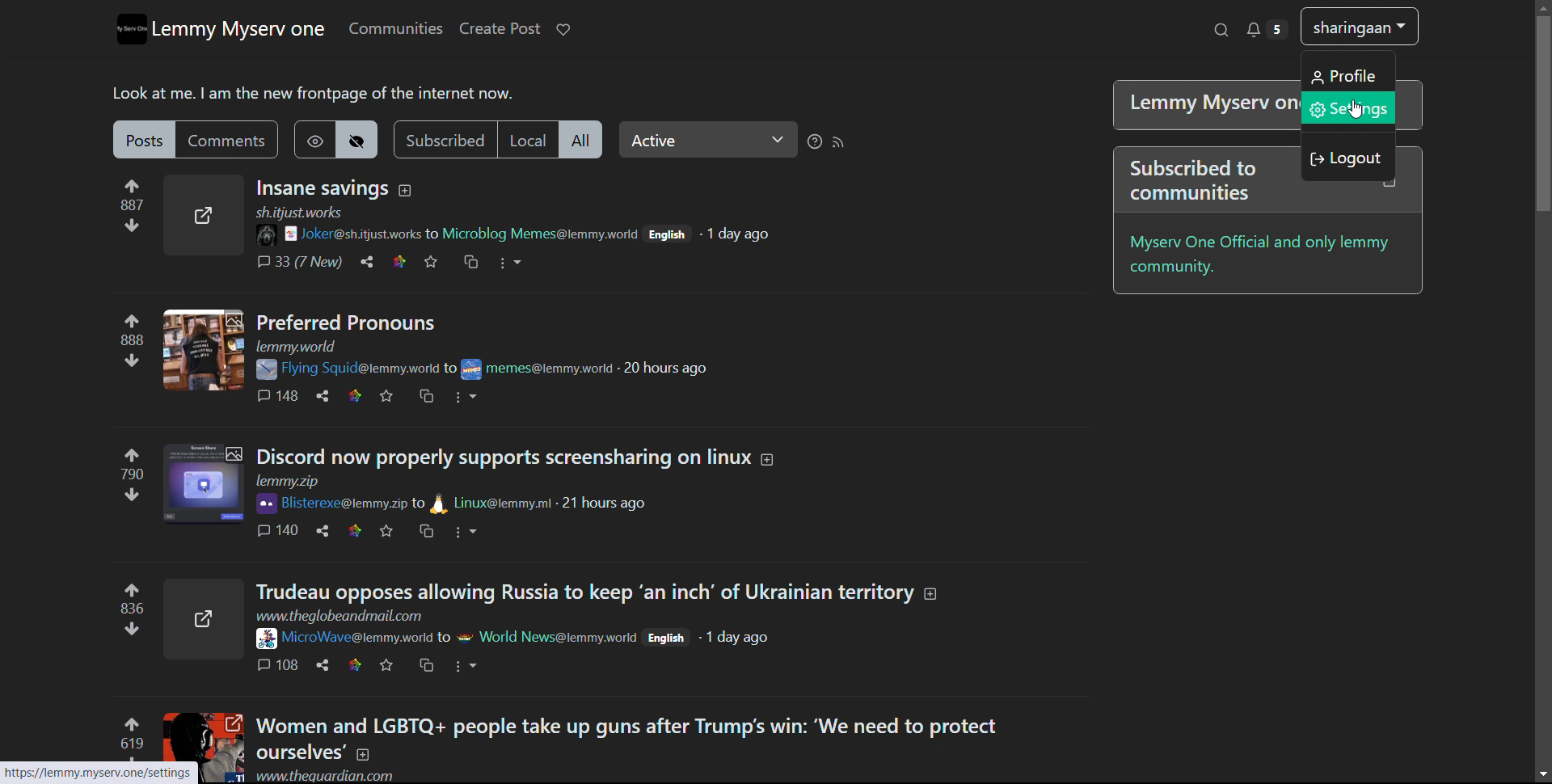  I want to click on log out, so click(1349, 162).